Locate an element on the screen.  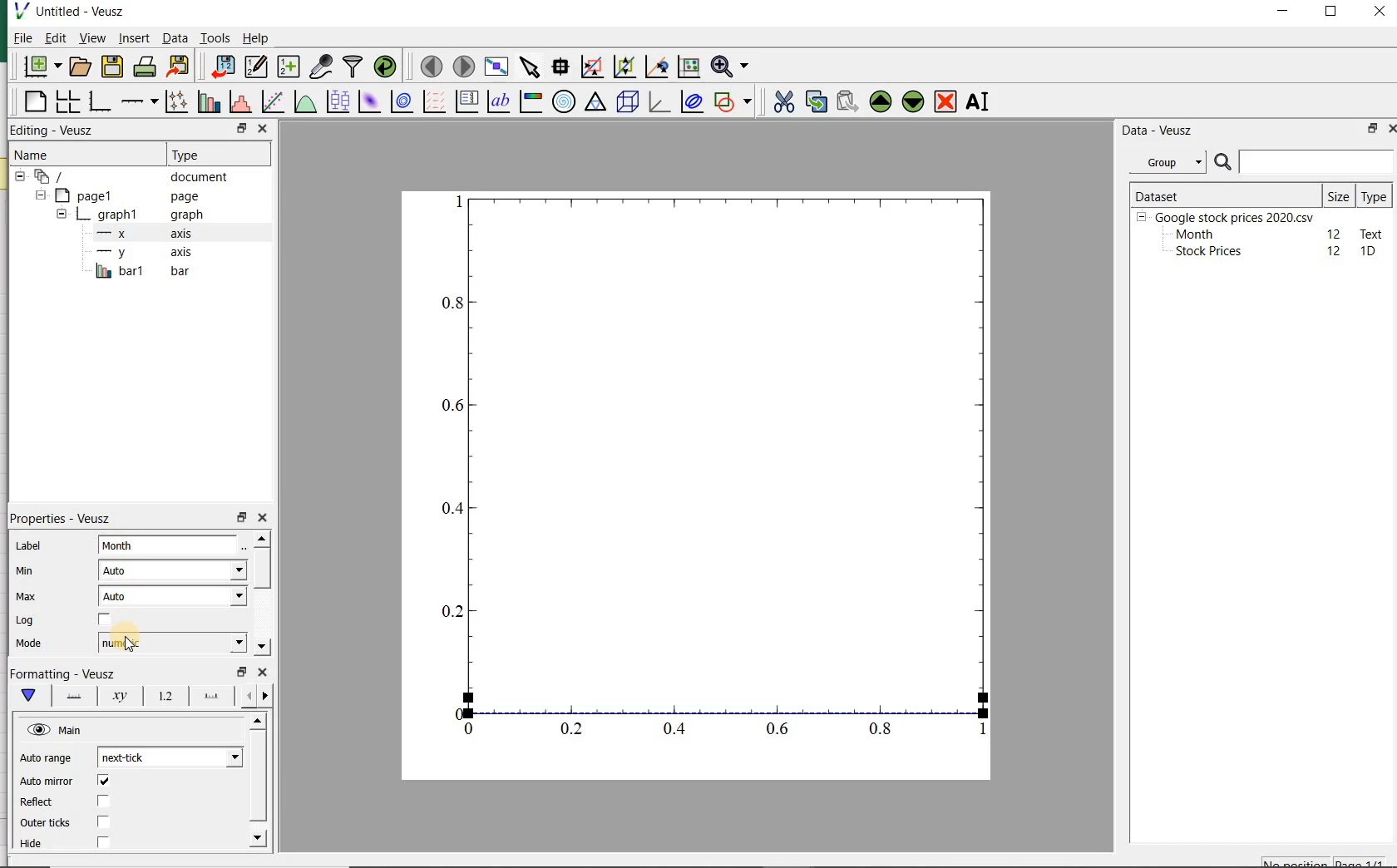
ternary graph is located at coordinates (595, 103).